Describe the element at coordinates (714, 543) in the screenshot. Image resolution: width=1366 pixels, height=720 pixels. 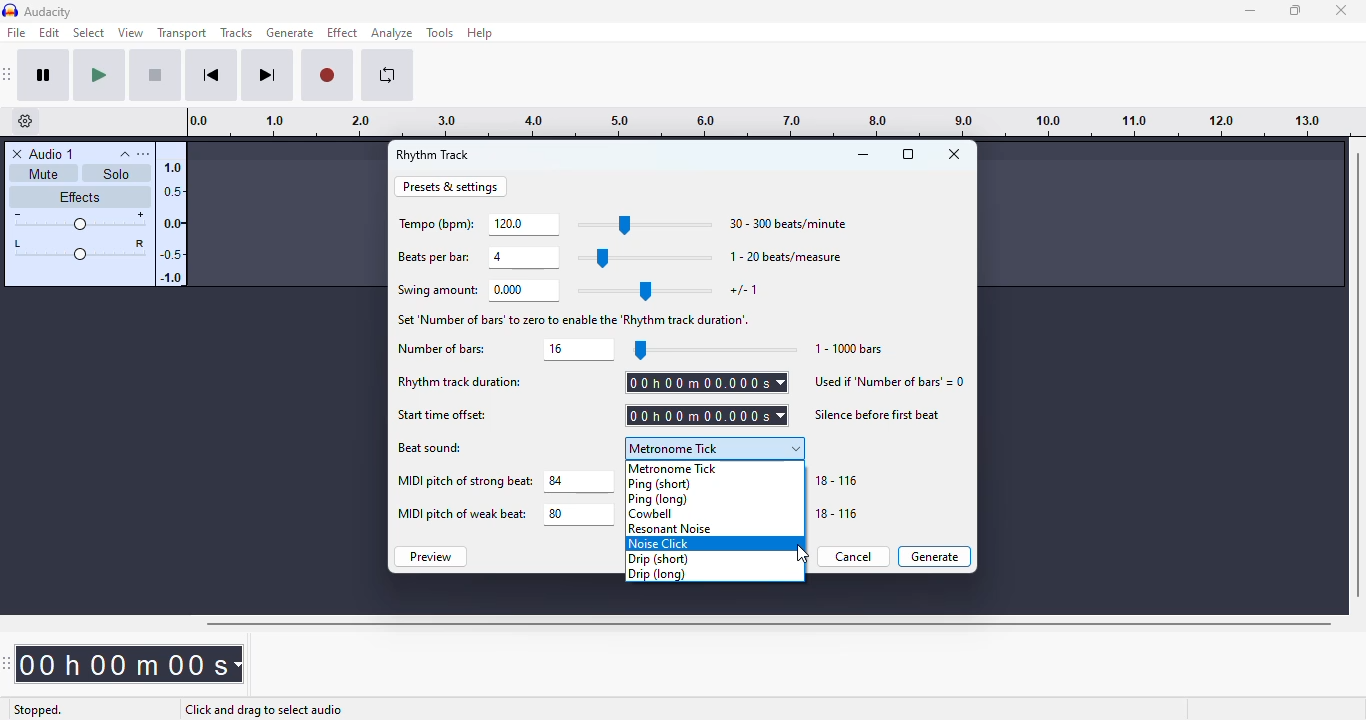
I see `noise click` at that location.